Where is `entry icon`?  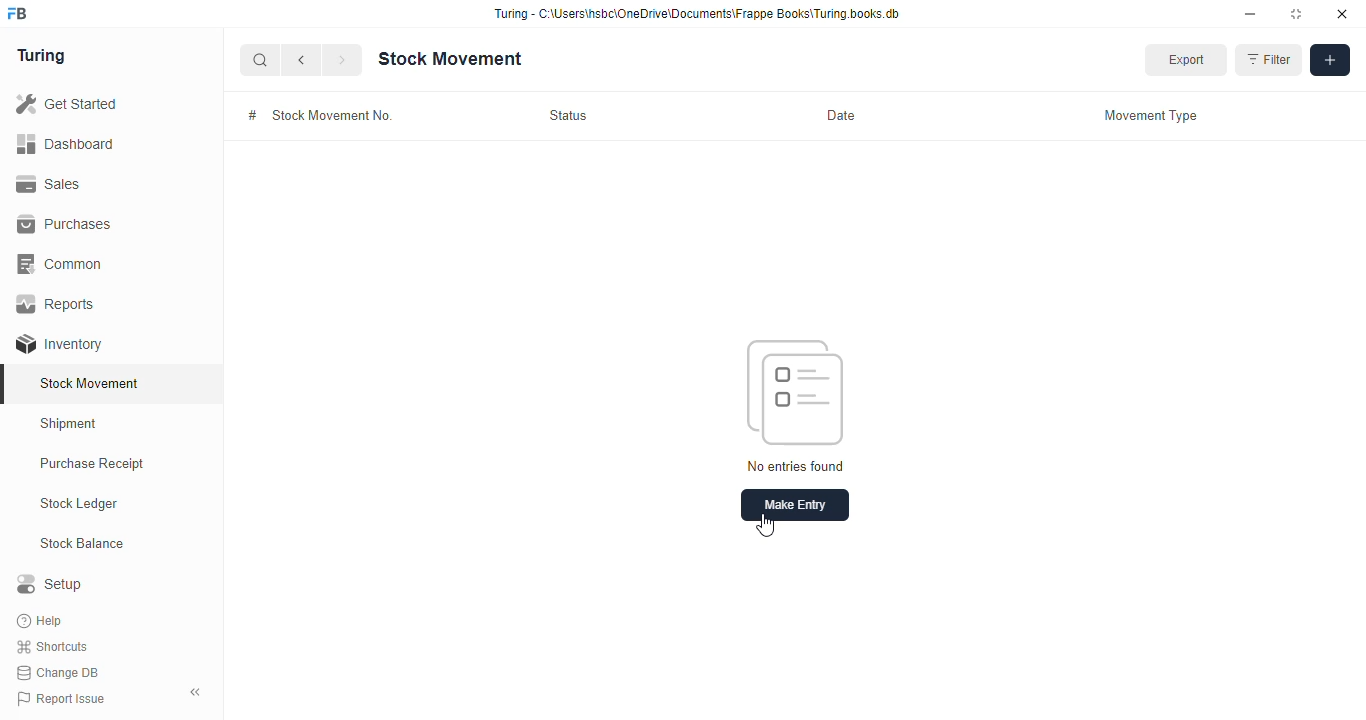
entry icon is located at coordinates (795, 393).